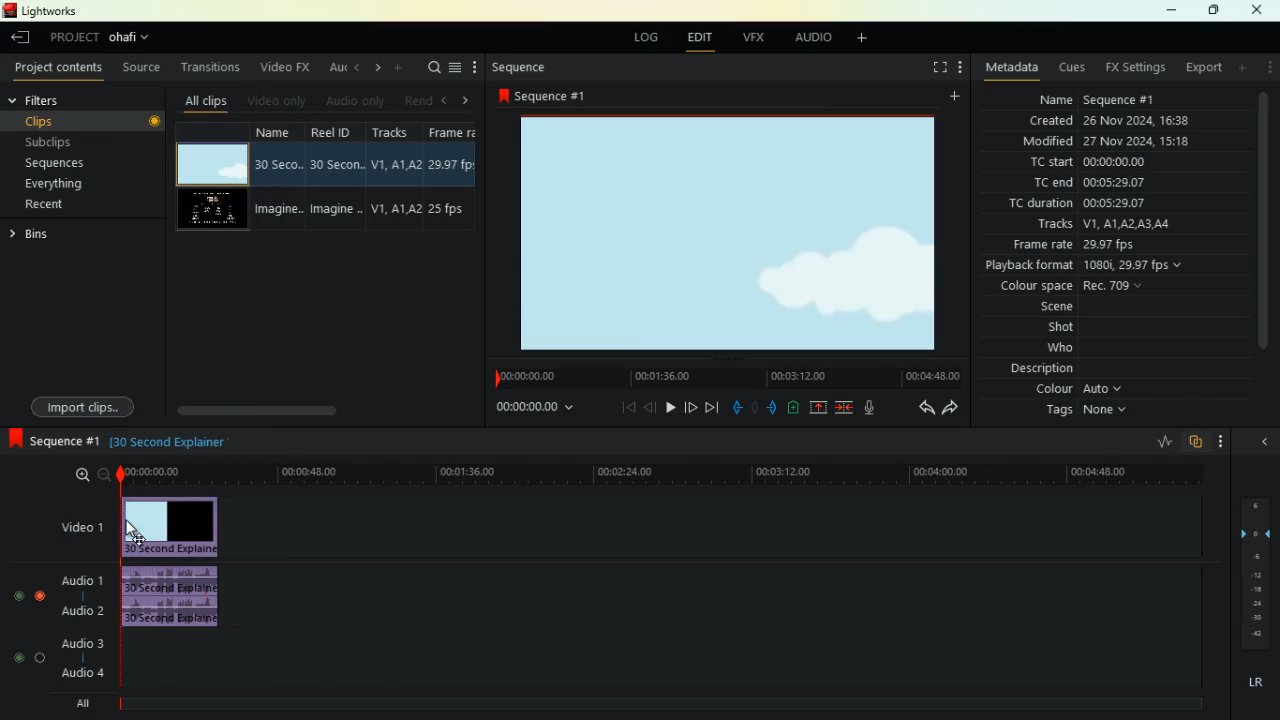 Image resolution: width=1280 pixels, height=720 pixels. Describe the element at coordinates (455, 179) in the screenshot. I see `fps` at that location.